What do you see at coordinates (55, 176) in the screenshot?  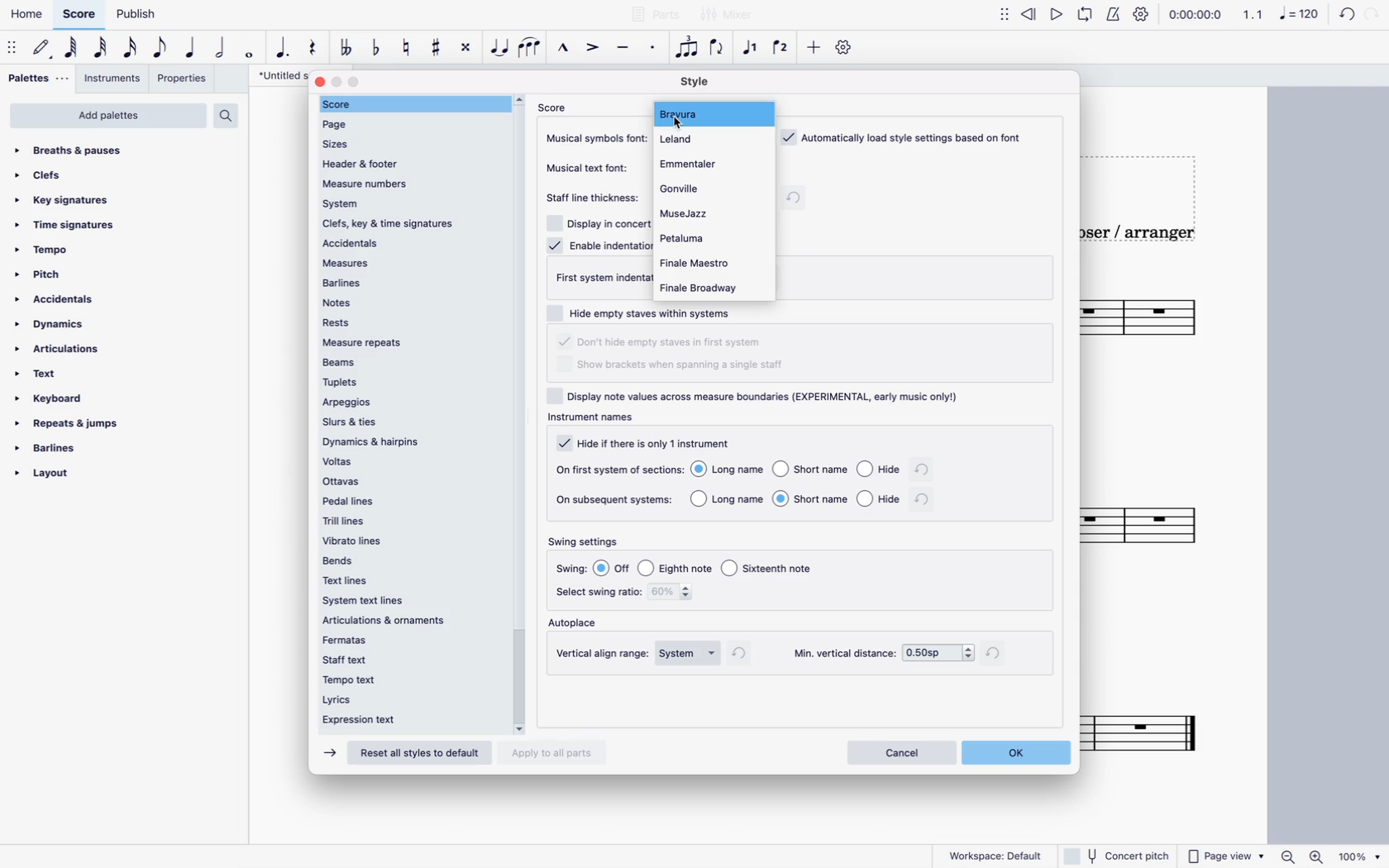 I see `clefs` at bounding box center [55, 176].